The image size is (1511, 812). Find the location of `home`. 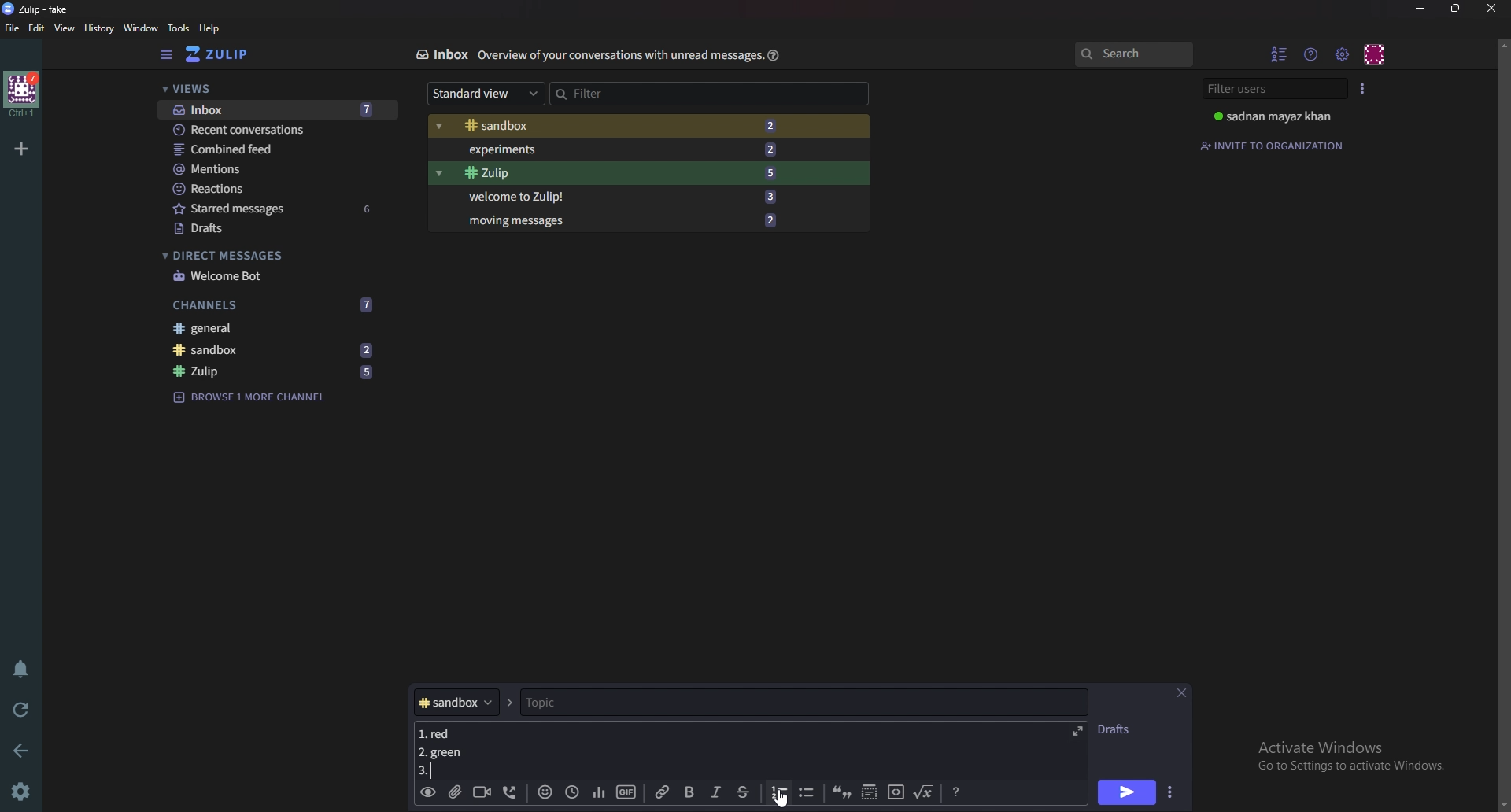

home is located at coordinates (20, 94).